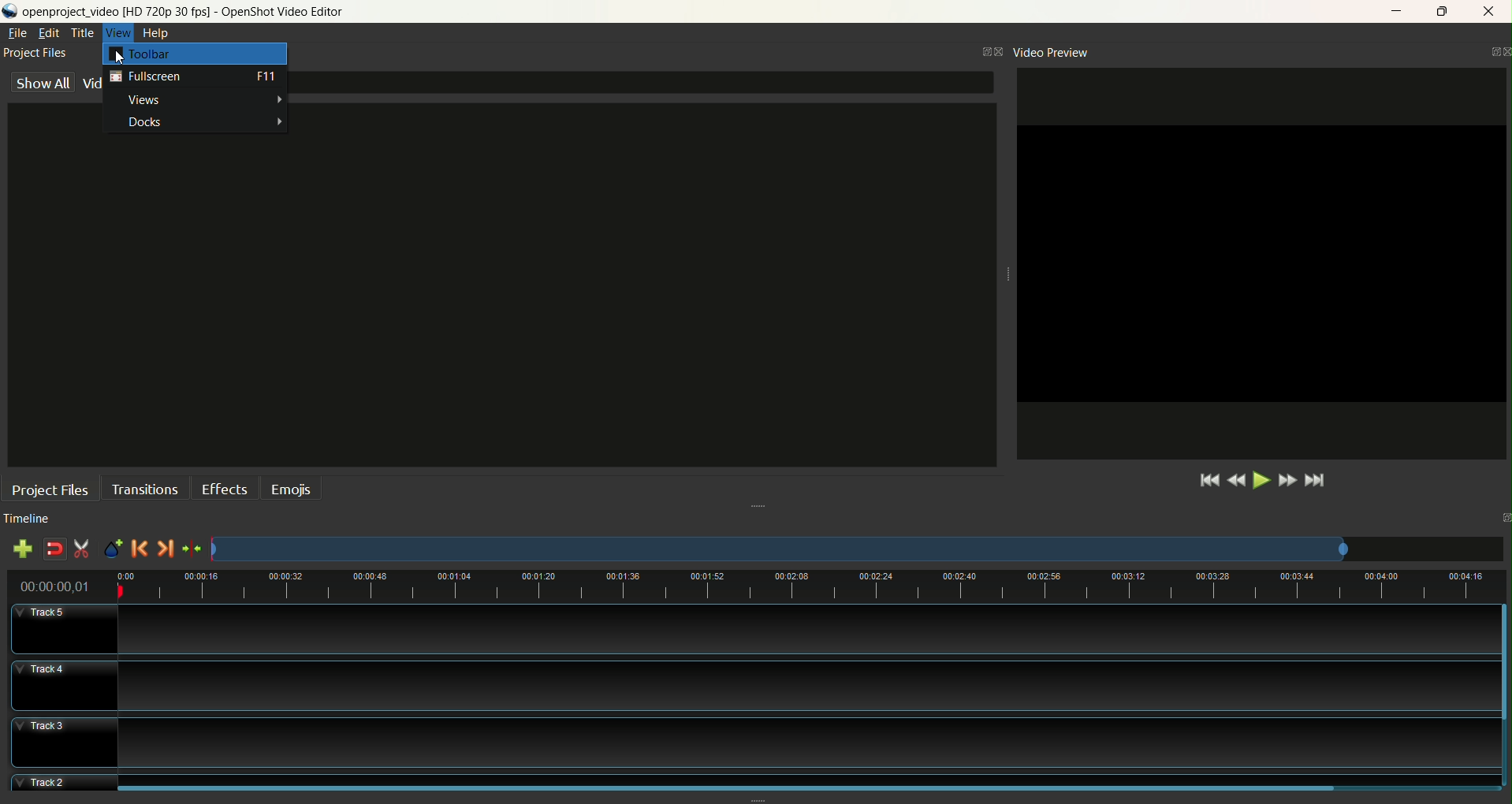  What do you see at coordinates (140, 550) in the screenshot?
I see `previous marker` at bounding box center [140, 550].